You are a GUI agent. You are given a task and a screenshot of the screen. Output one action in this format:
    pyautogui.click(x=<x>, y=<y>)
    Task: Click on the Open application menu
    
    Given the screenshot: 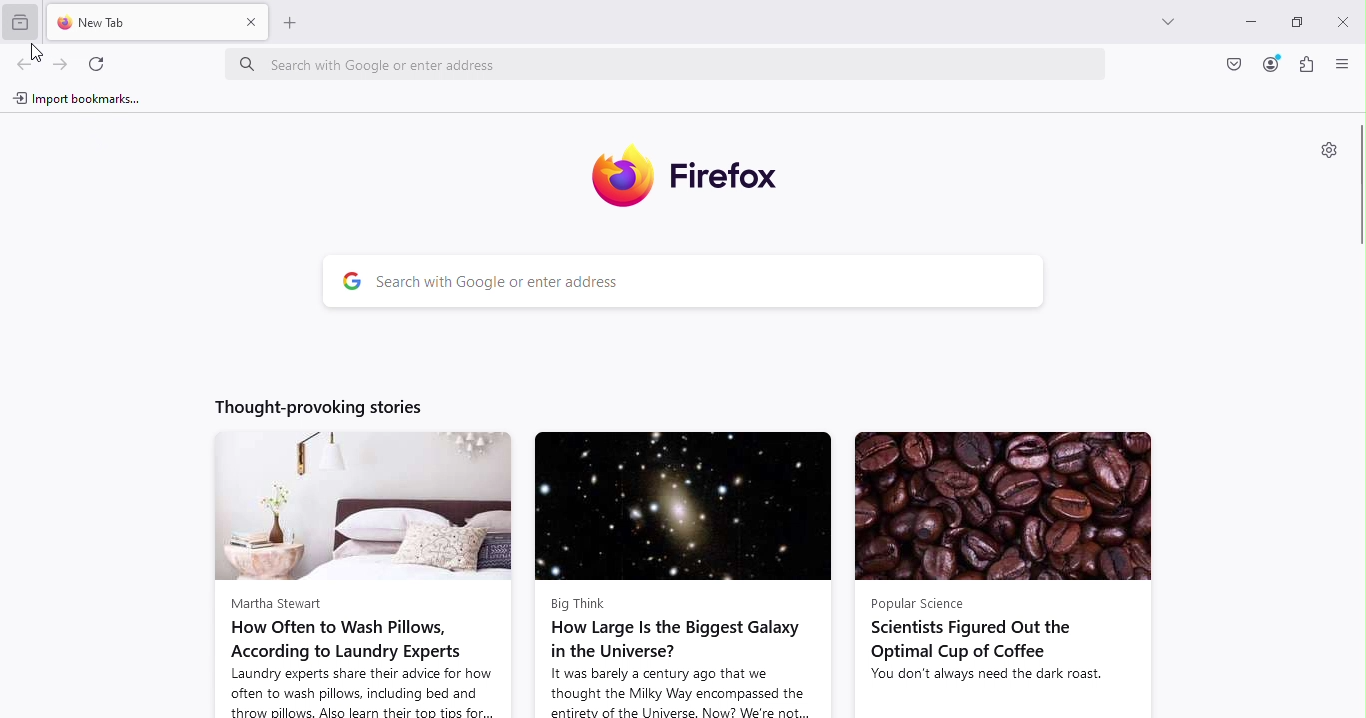 What is the action you would take?
    pyautogui.click(x=1341, y=64)
    